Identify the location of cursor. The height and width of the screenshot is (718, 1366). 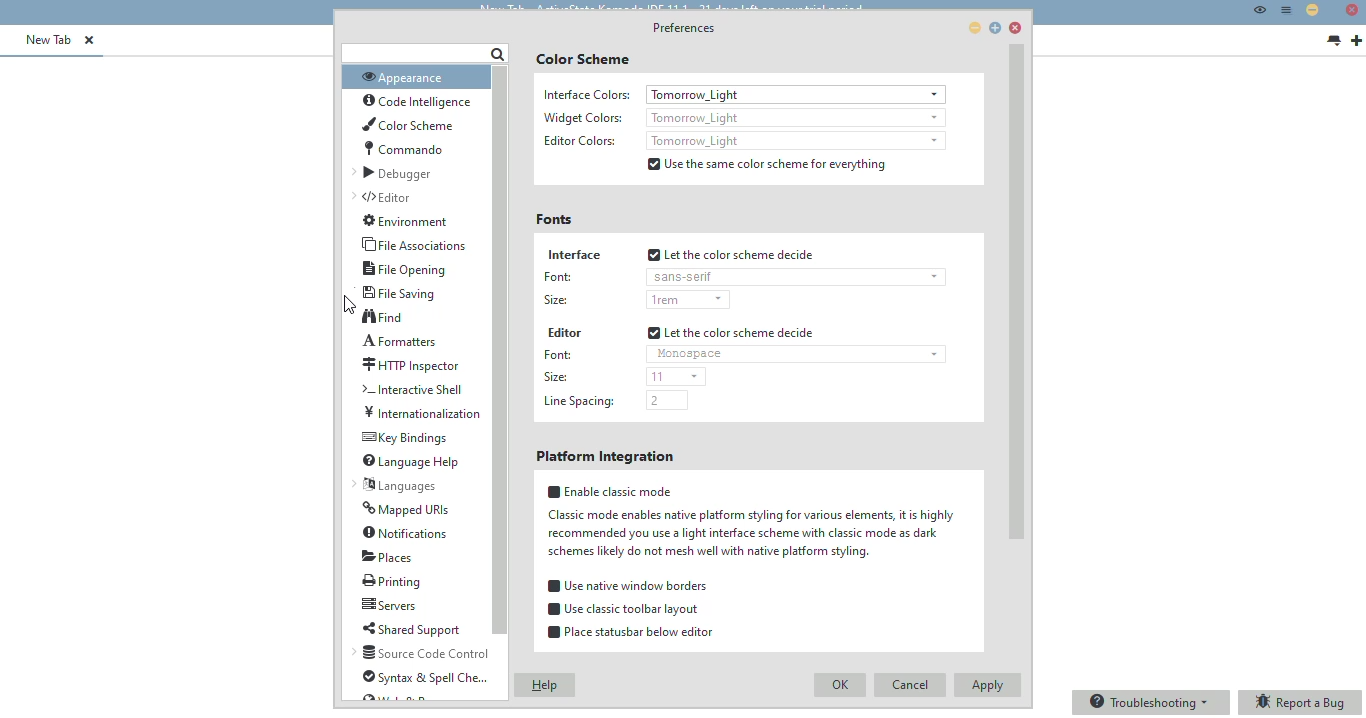
(347, 304).